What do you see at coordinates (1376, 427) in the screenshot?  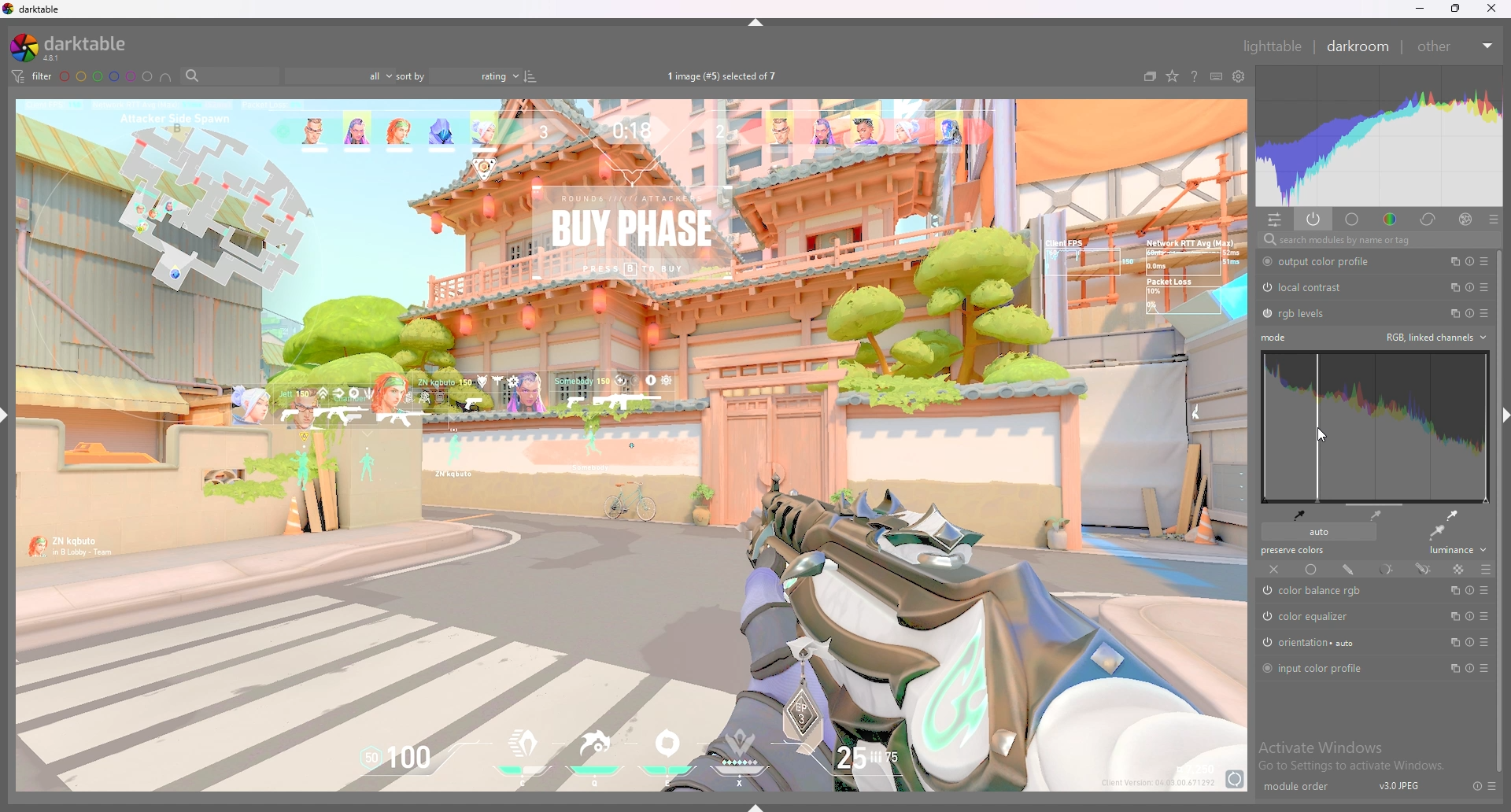 I see `shadow heatmap` at bounding box center [1376, 427].